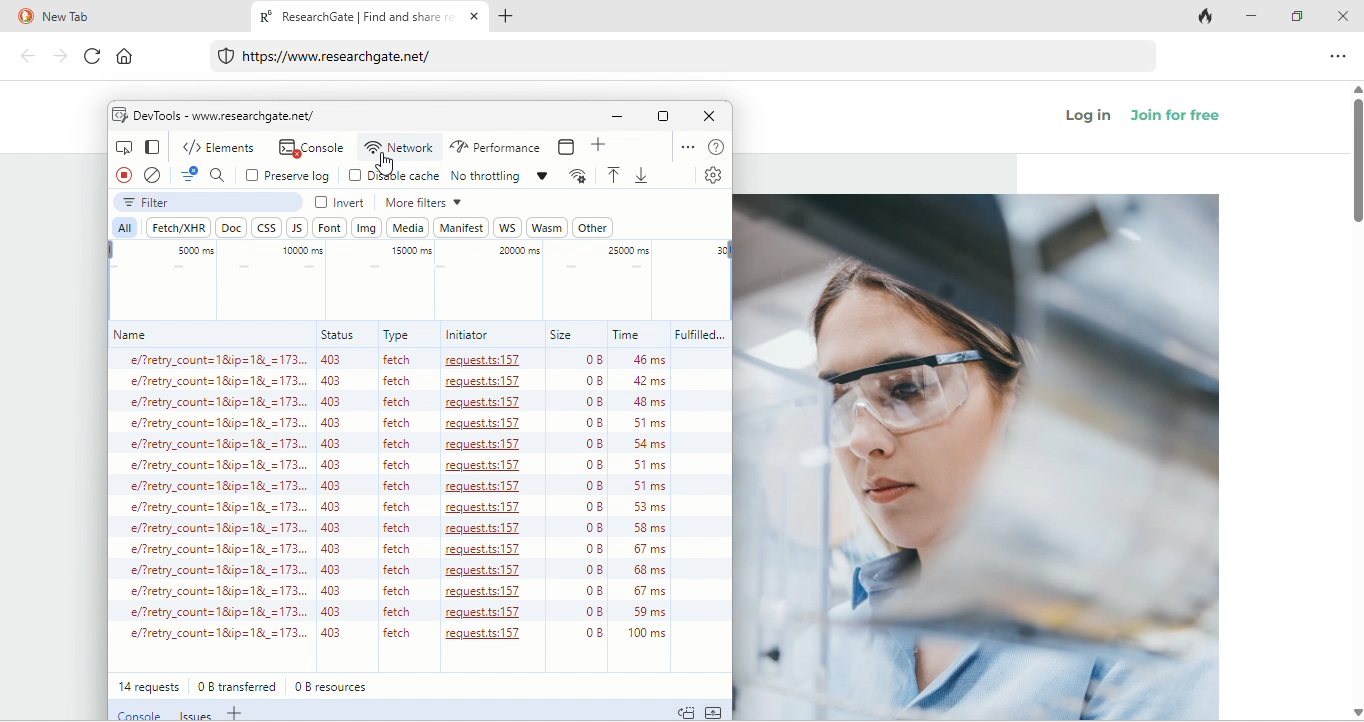 The image size is (1364, 722). Describe the element at coordinates (194, 250) in the screenshot. I see `5000 ms` at that location.